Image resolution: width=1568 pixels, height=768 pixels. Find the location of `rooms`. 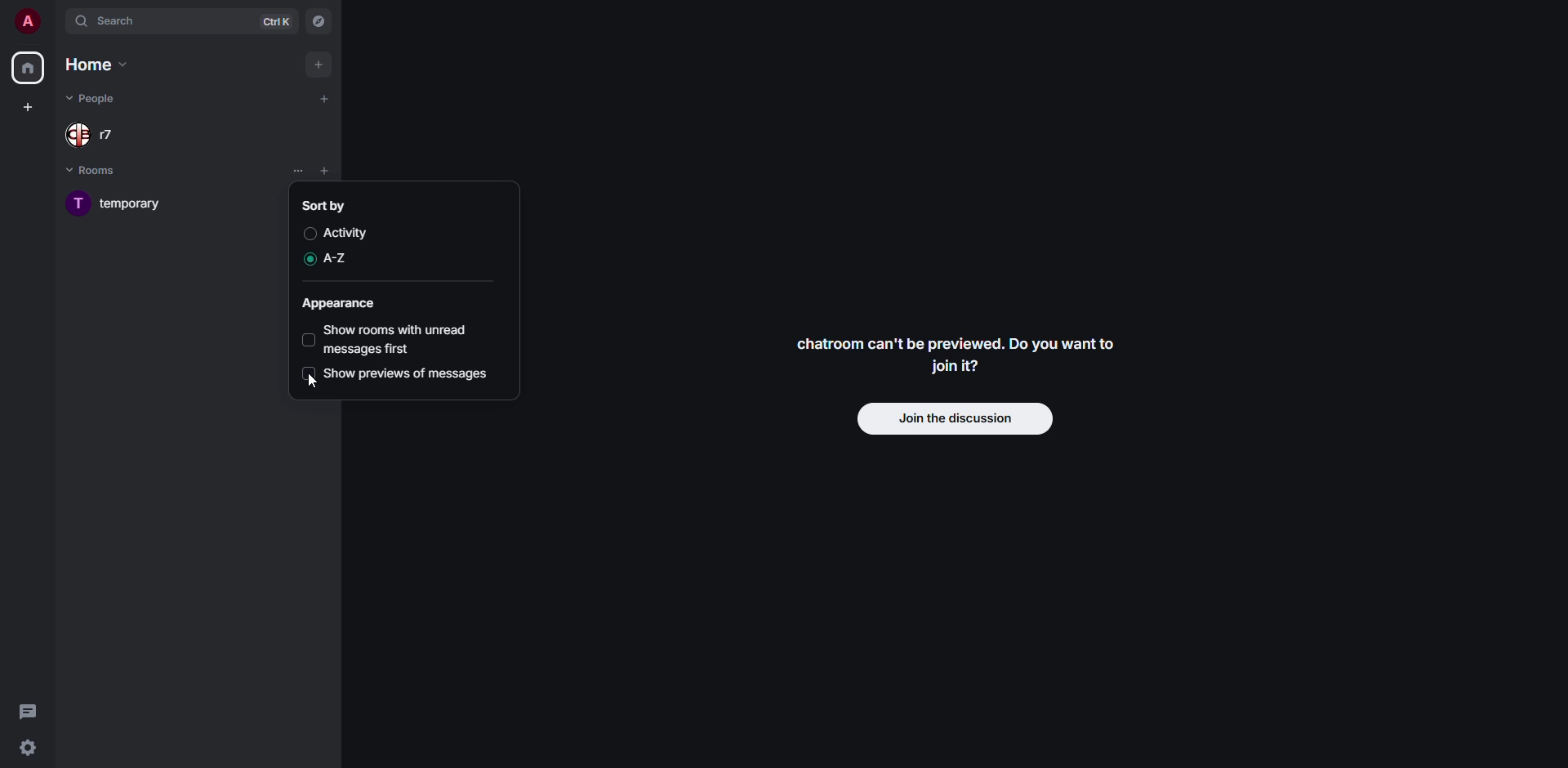

rooms is located at coordinates (96, 171).